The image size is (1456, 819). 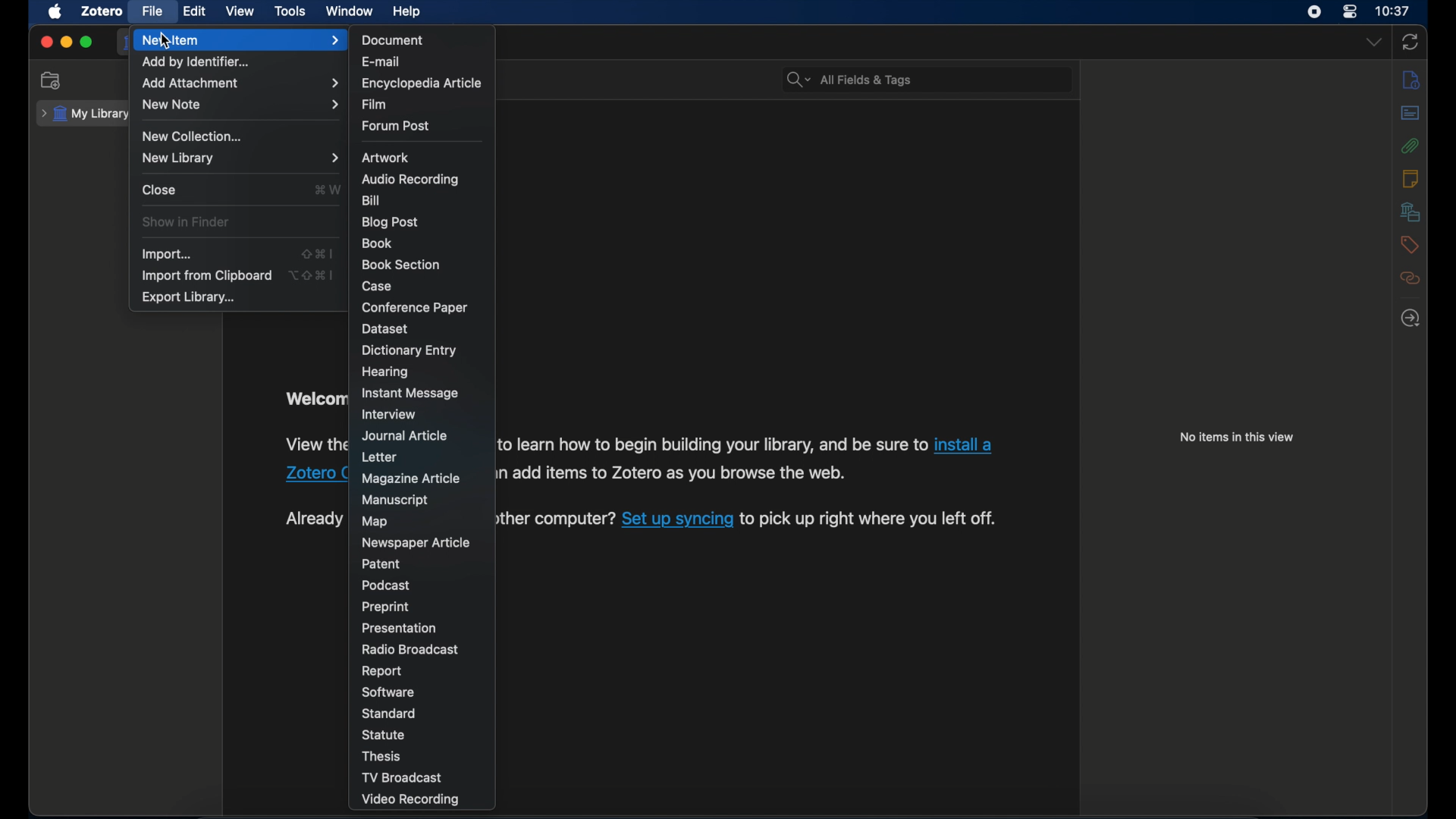 What do you see at coordinates (326, 191) in the screenshot?
I see `shortcut` at bounding box center [326, 191].